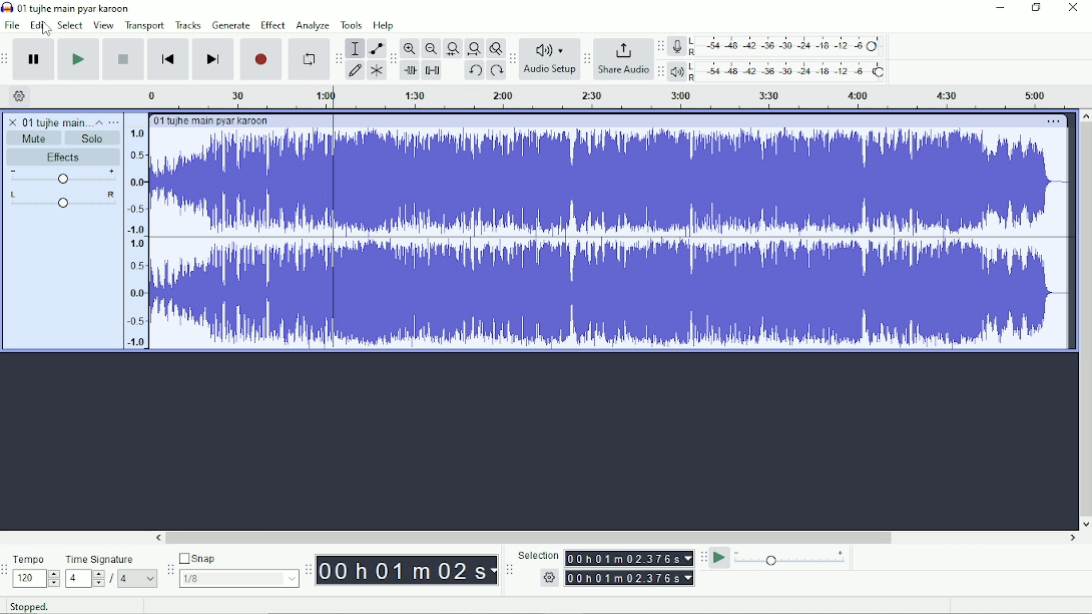 This screenshot has height=614, width=1092. What do you see at coordinates (35, 138) in the screenshot?
I see `Mute` at bounding box center [35, 138].